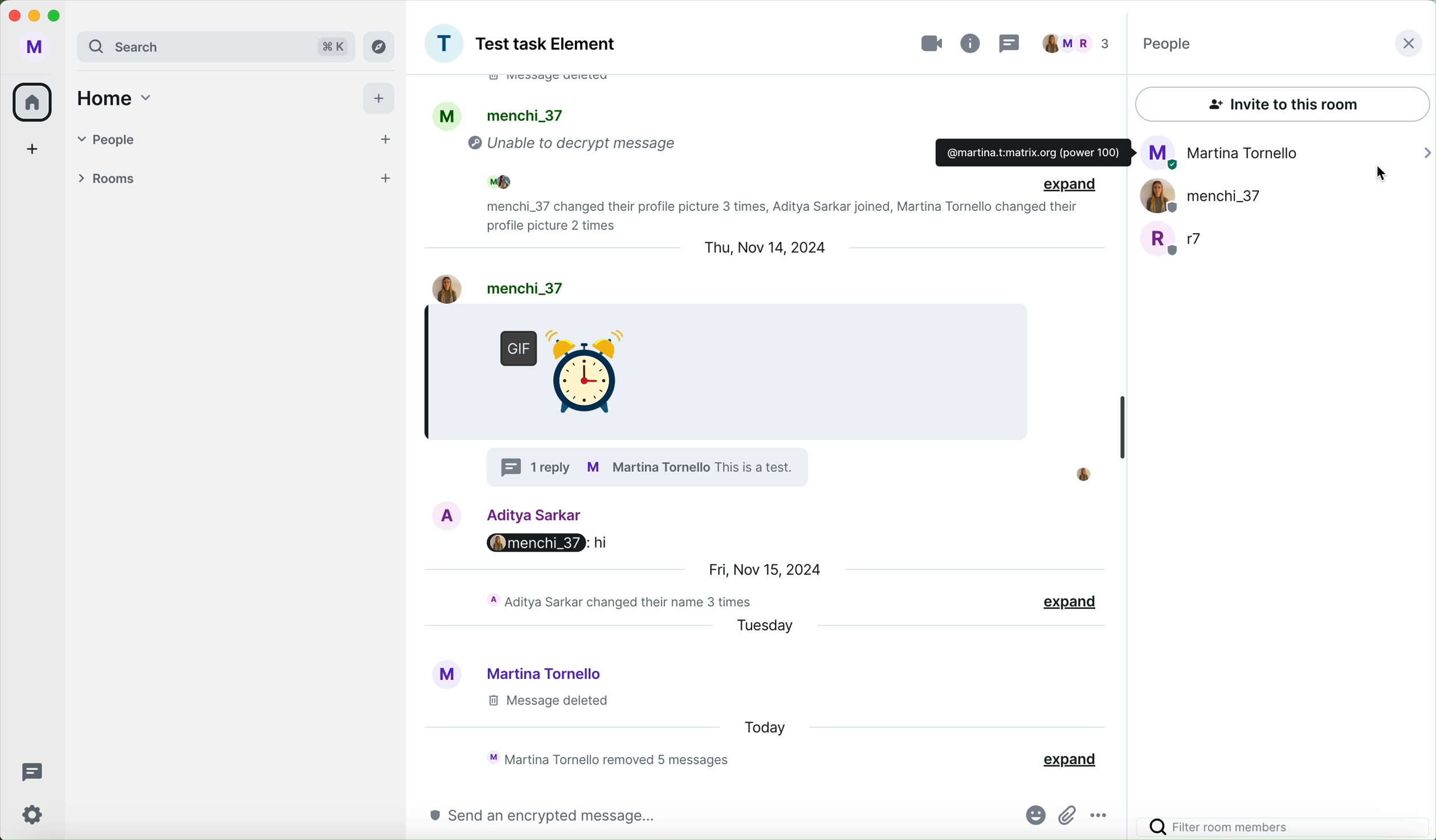  Describe the element at coordinates (13, 15) in the screenshot. I see `close program` at that location.